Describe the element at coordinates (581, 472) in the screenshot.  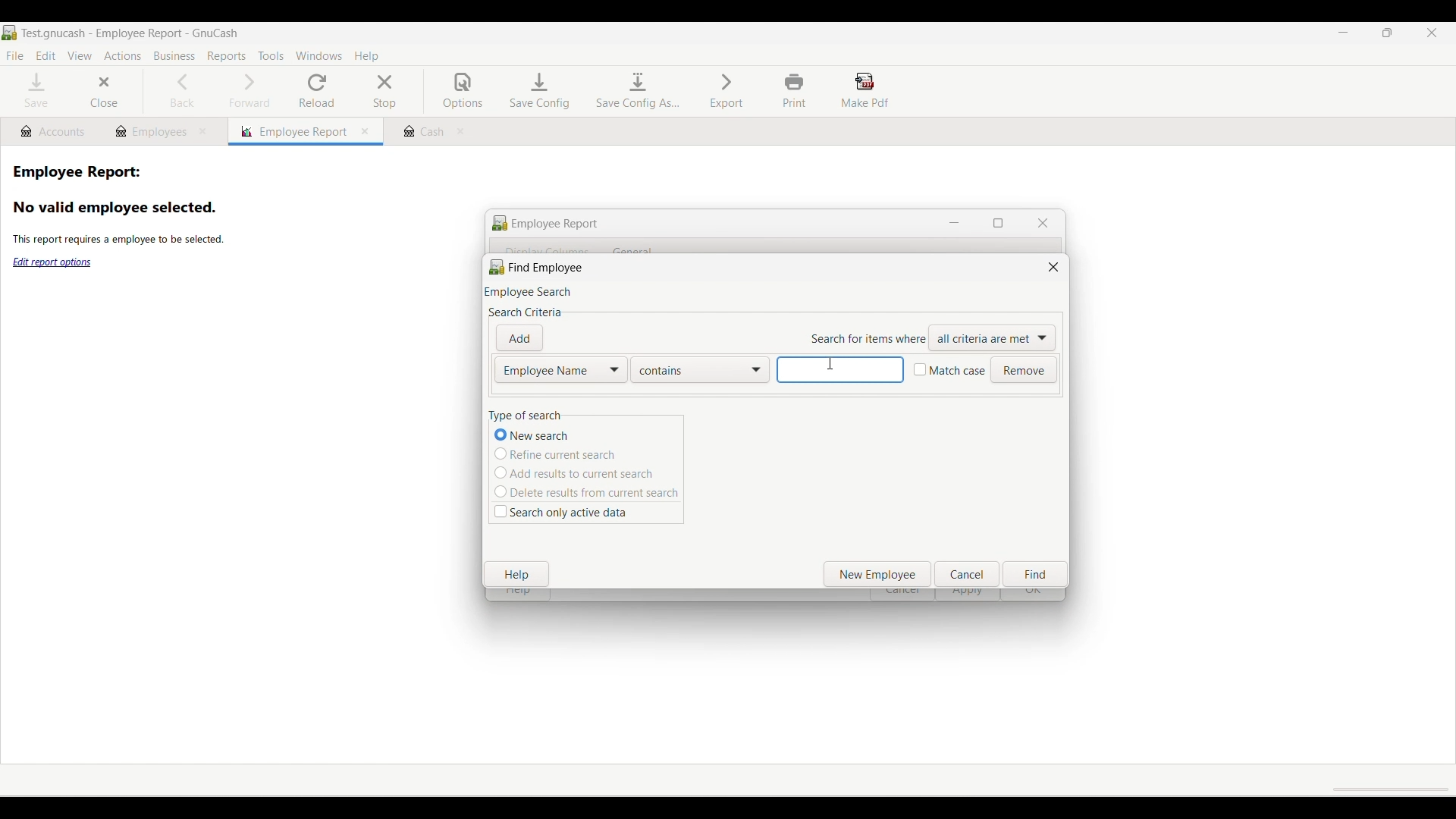
I see `Add results to current search` at that location.